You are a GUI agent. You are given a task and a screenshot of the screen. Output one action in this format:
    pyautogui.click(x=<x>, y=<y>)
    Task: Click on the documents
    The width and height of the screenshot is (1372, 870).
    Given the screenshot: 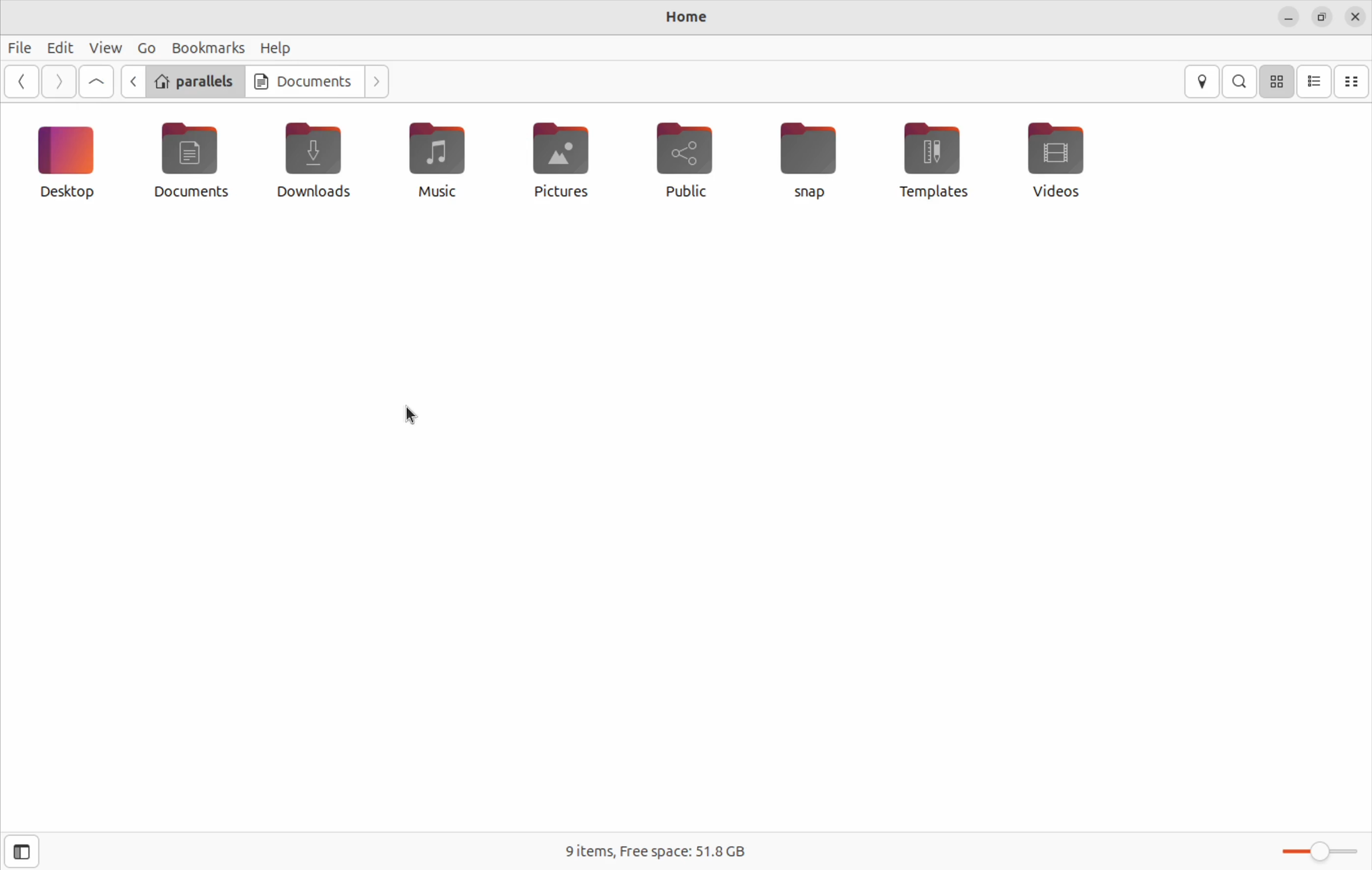 What is the action you would take?
    pyautogui.click(x=189, y=159)
    